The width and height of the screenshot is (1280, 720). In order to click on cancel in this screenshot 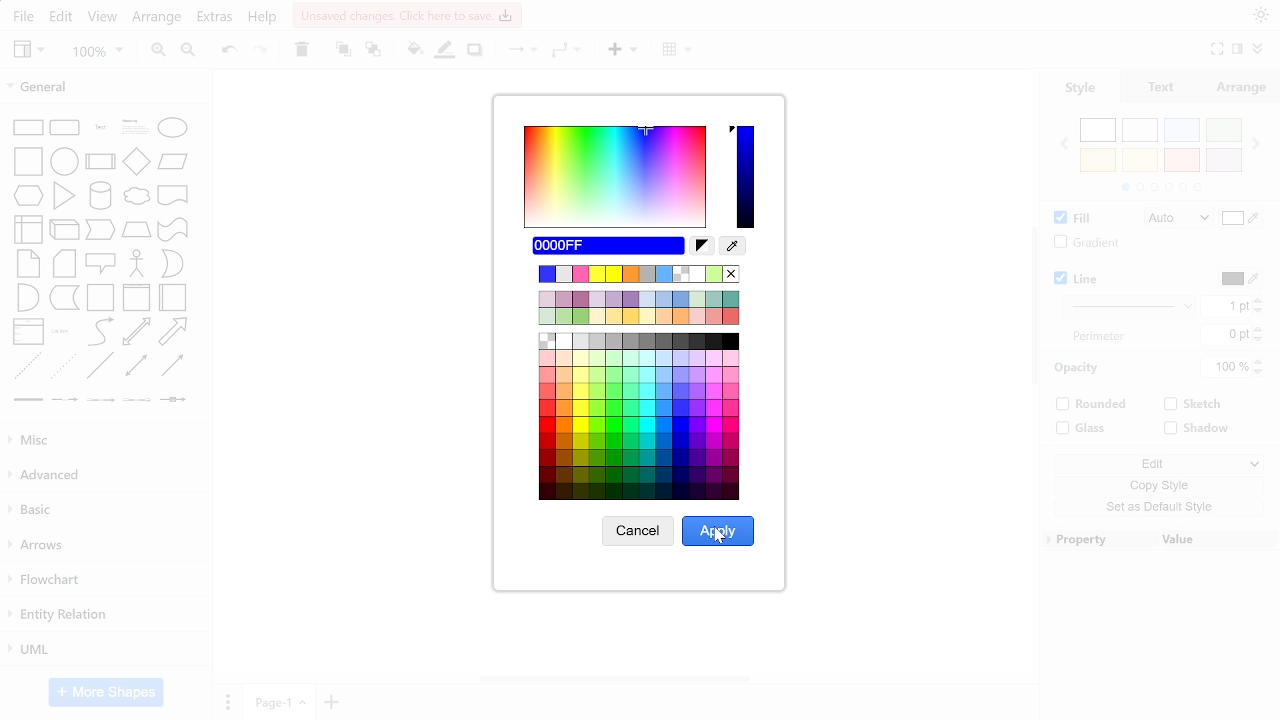, I will do `click(638, 531)`.